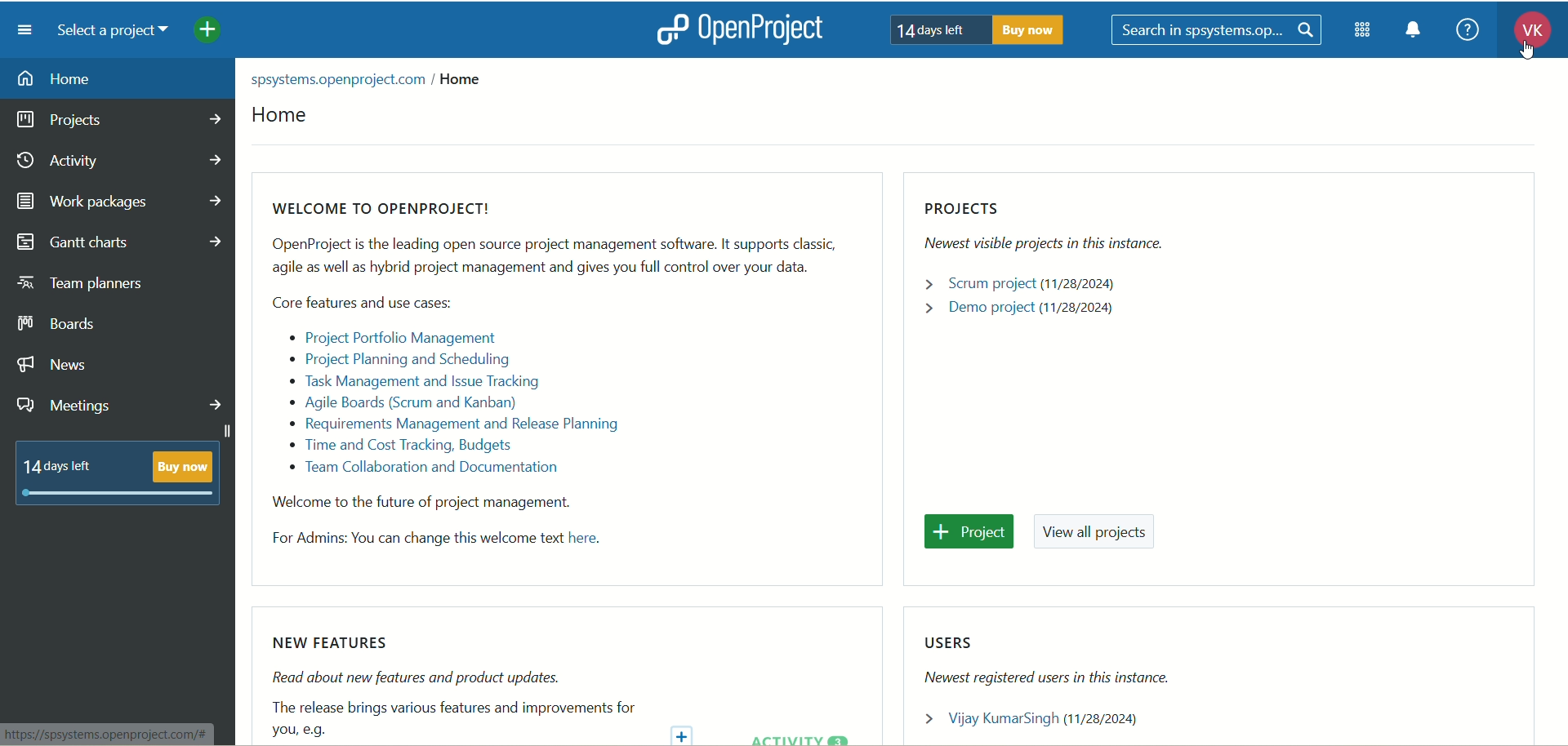 The height and width of the screenshot is (746, 1568). What do you see at coordinates (1218, 32) in the screenshot?
I see `search` at bounding box center [1218, 32].